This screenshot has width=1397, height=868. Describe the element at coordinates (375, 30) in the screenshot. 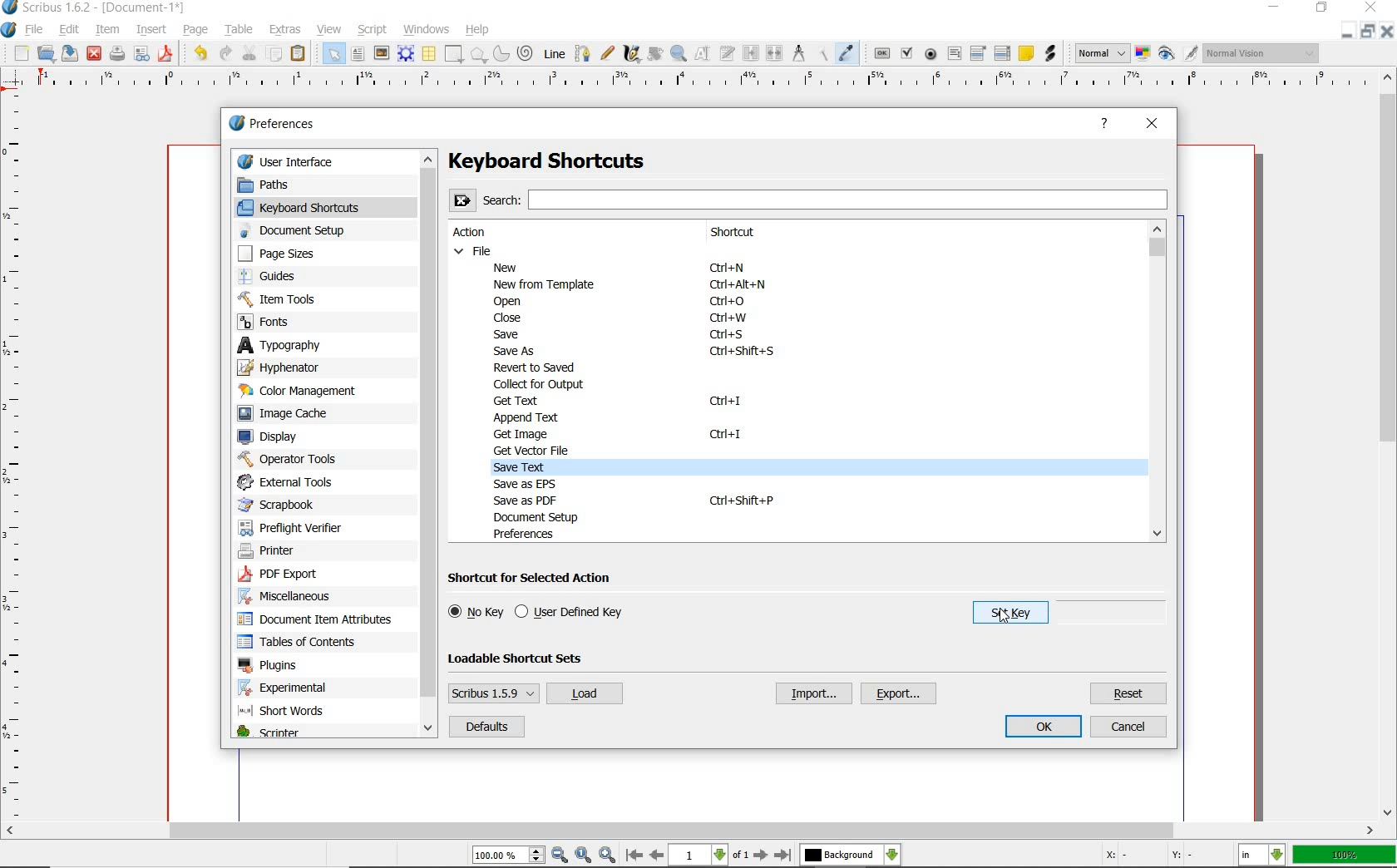

I see `script` at that location.